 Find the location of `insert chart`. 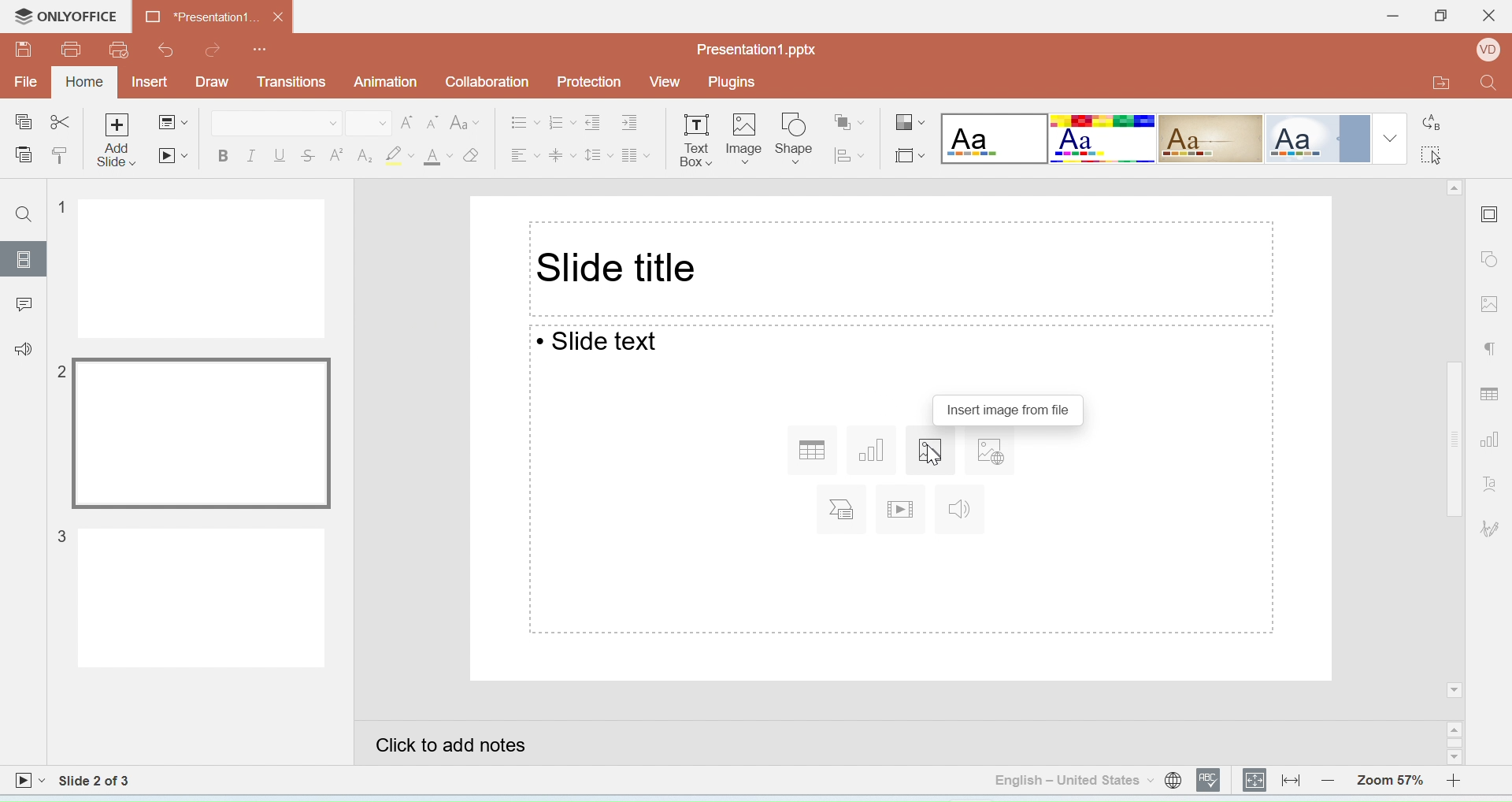

insert chart is located at coordinates (875, 450).